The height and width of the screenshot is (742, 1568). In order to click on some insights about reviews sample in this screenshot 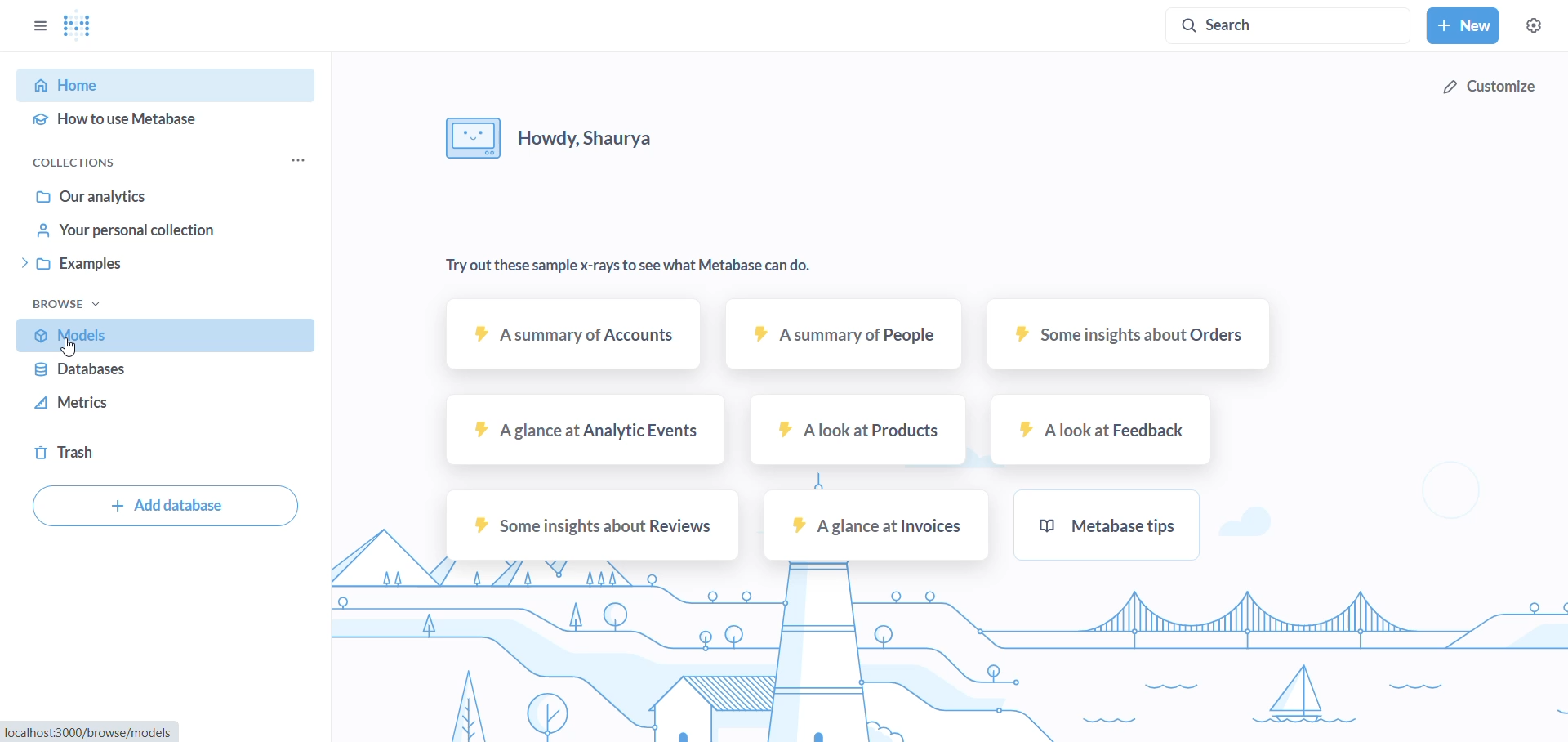, I will do `click(587, 527)`.